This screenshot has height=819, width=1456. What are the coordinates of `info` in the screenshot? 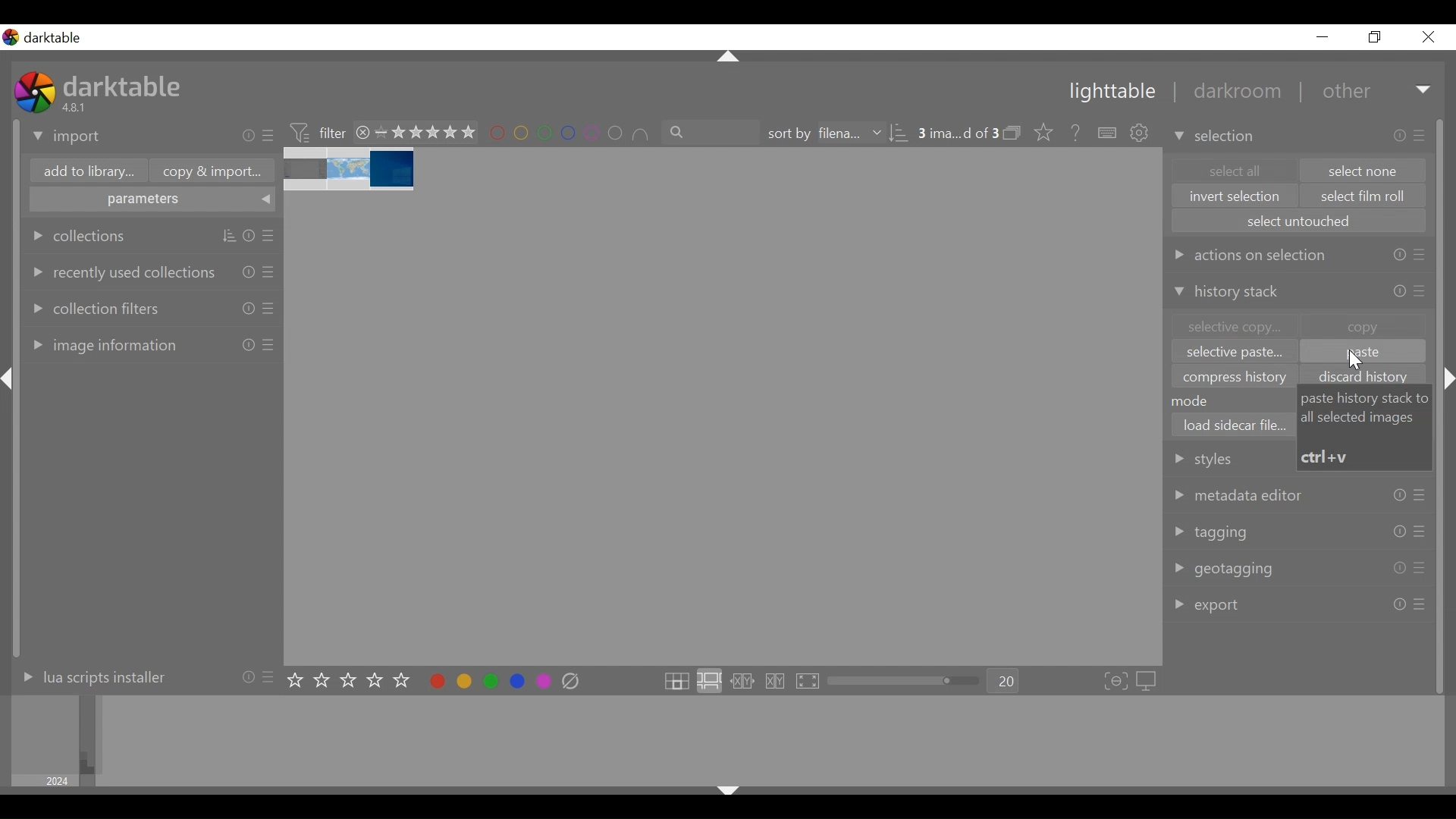 It's located at (249, 344).